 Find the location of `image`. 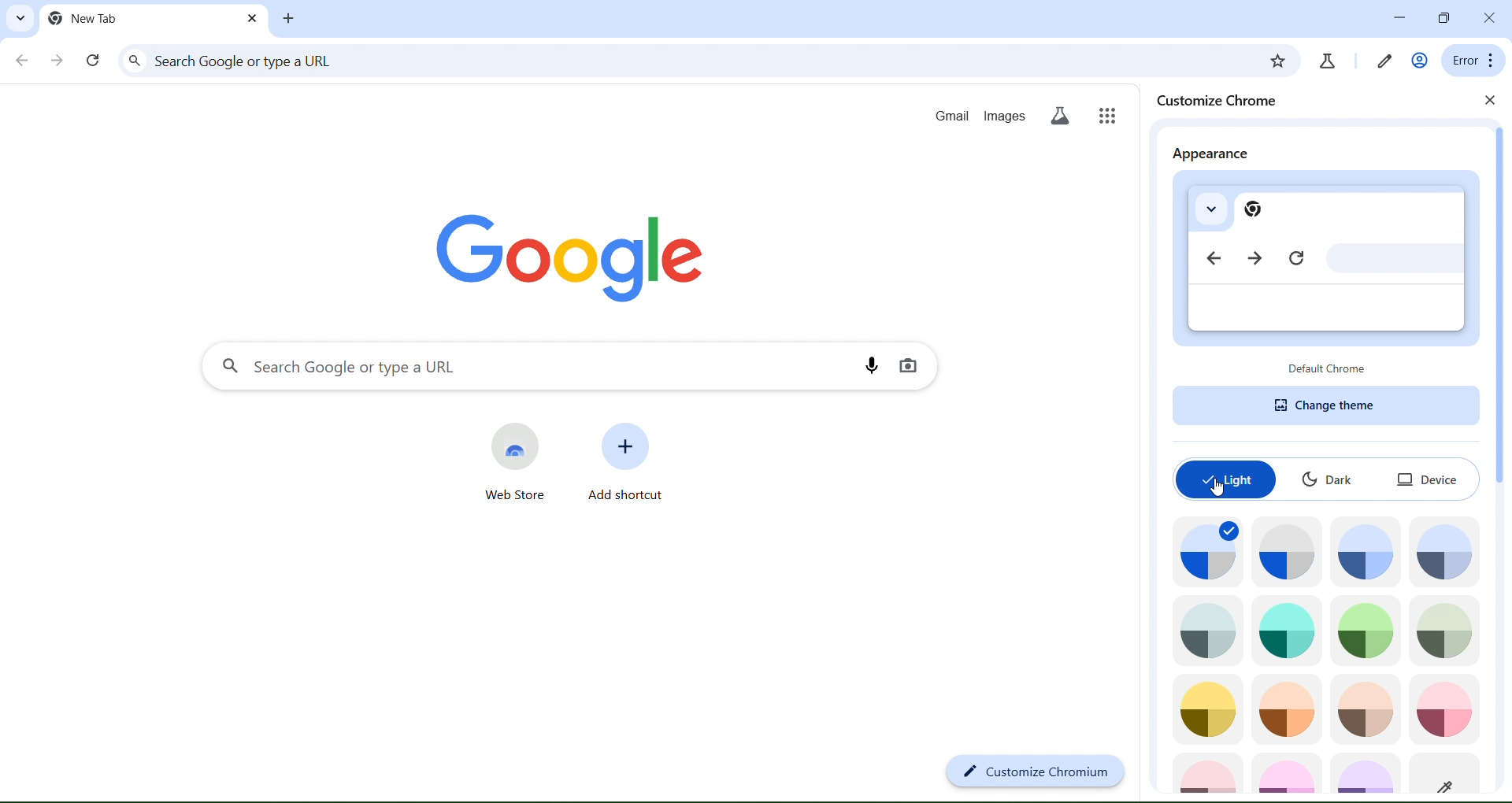

image is located at coordinates (1286, 629).